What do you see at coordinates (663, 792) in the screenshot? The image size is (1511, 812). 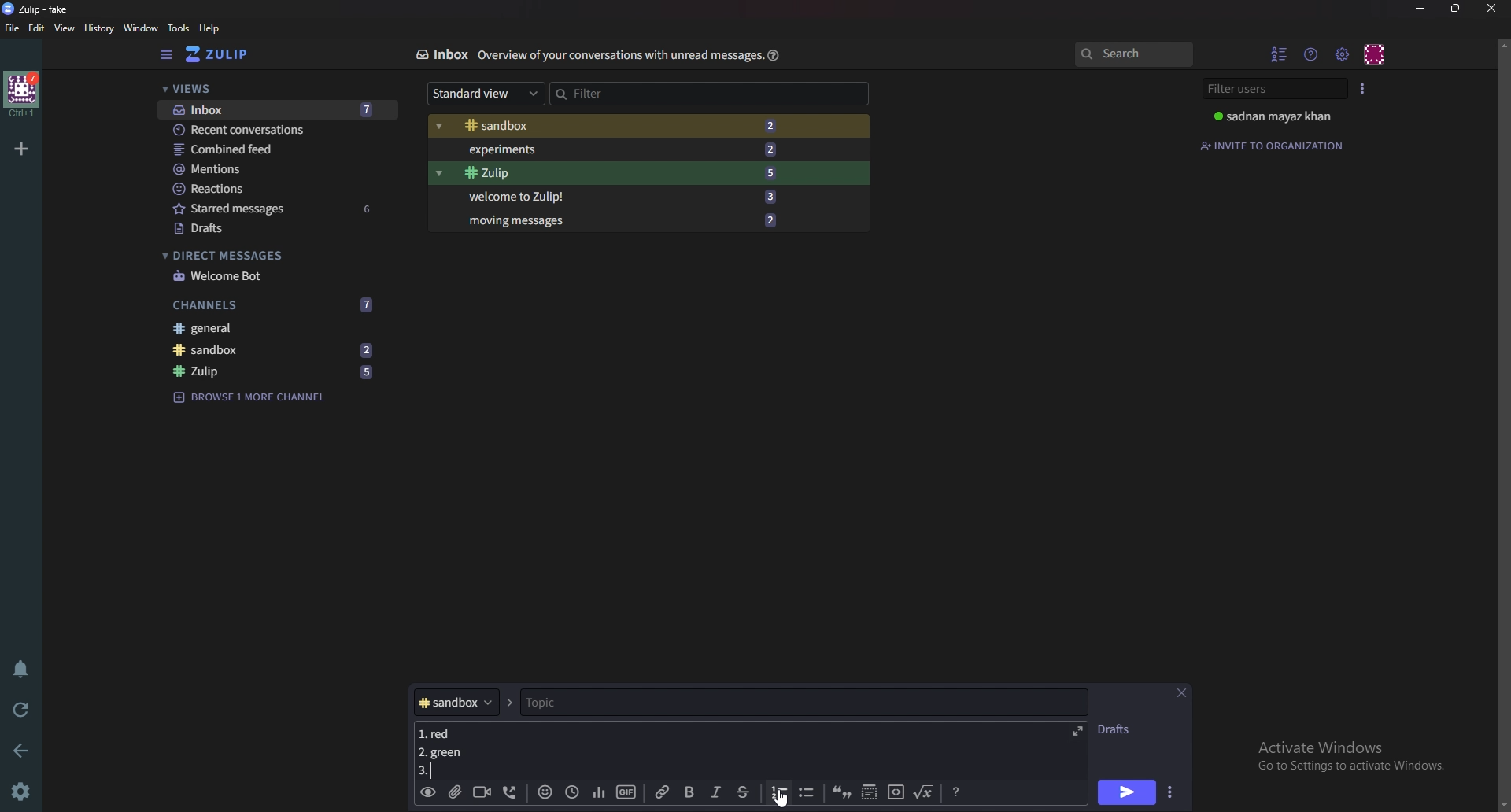 I see `link` at bounding box center [663, 792].